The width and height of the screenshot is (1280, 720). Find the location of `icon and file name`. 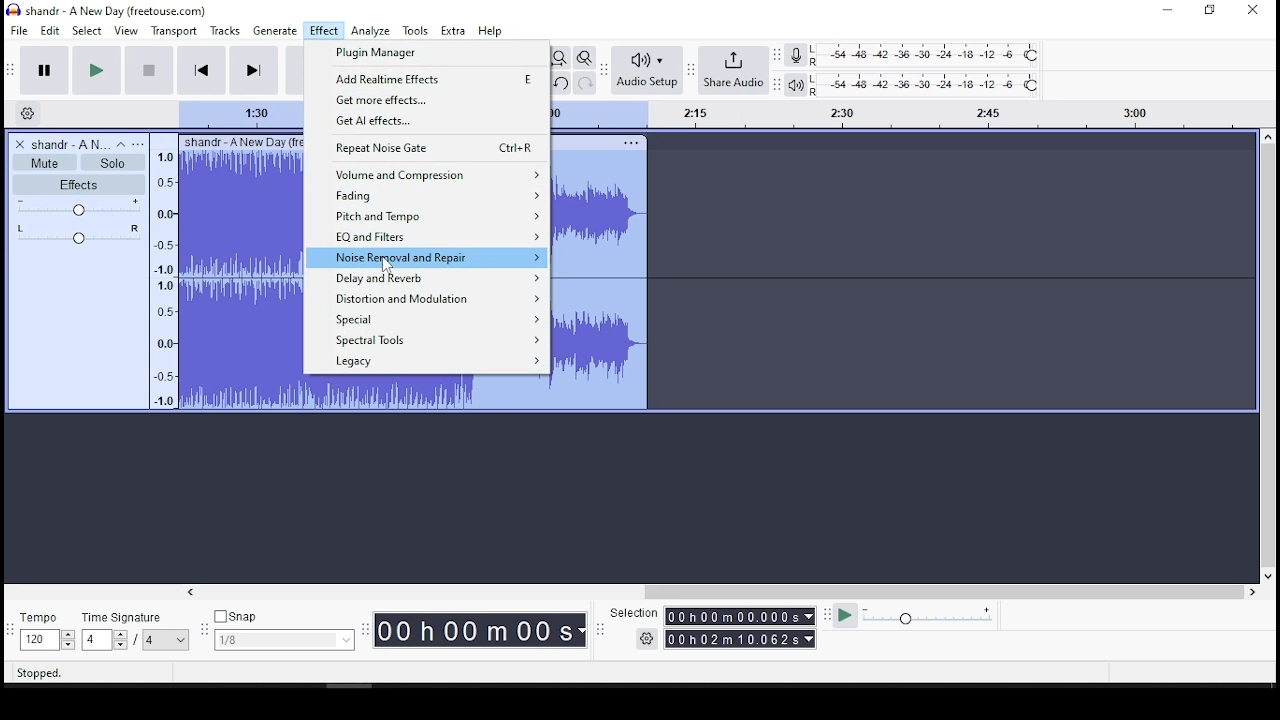

icon and file name is located at coordinates (109, 12).